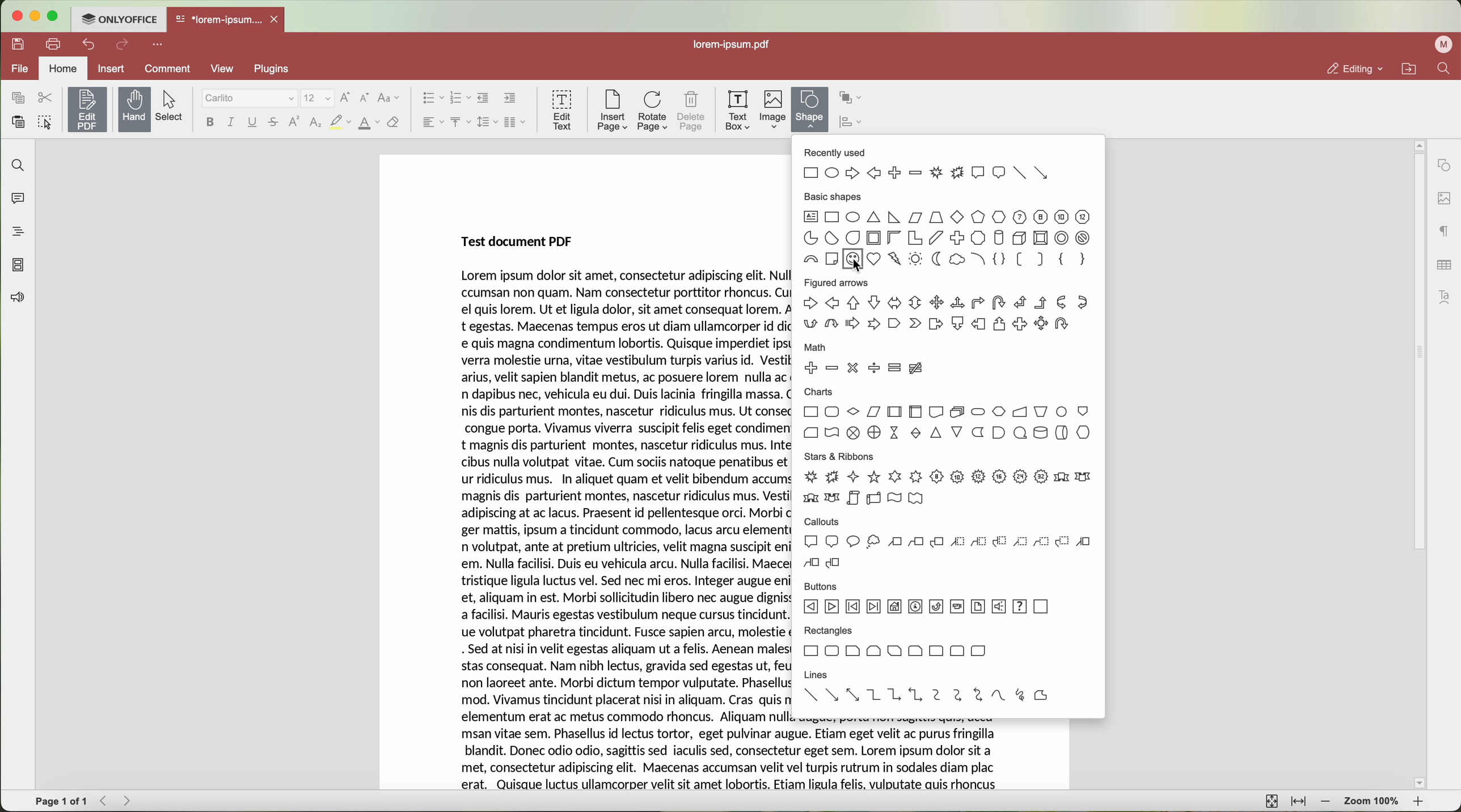 The width and height of the screenshot is (1461, 812). Describe the element at coordinates (319, 98) in the screenshot. I see `size font` at that location.